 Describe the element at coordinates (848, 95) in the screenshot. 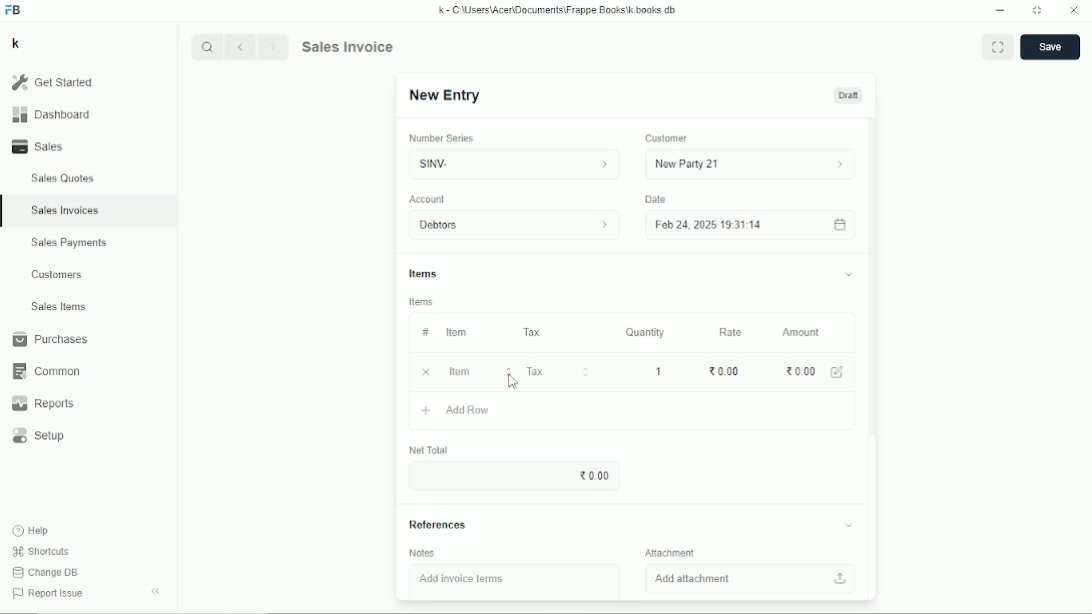

I see `Draft` at that location.